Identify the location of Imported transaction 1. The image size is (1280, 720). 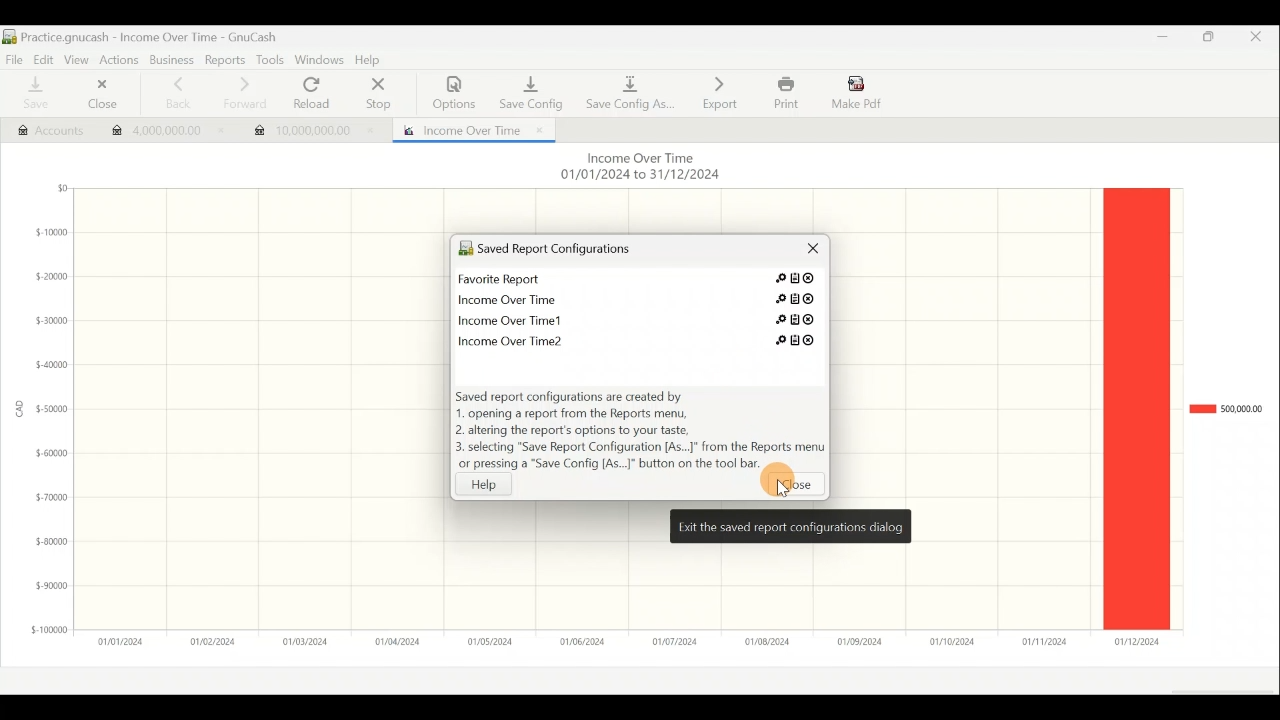
(161, 133).